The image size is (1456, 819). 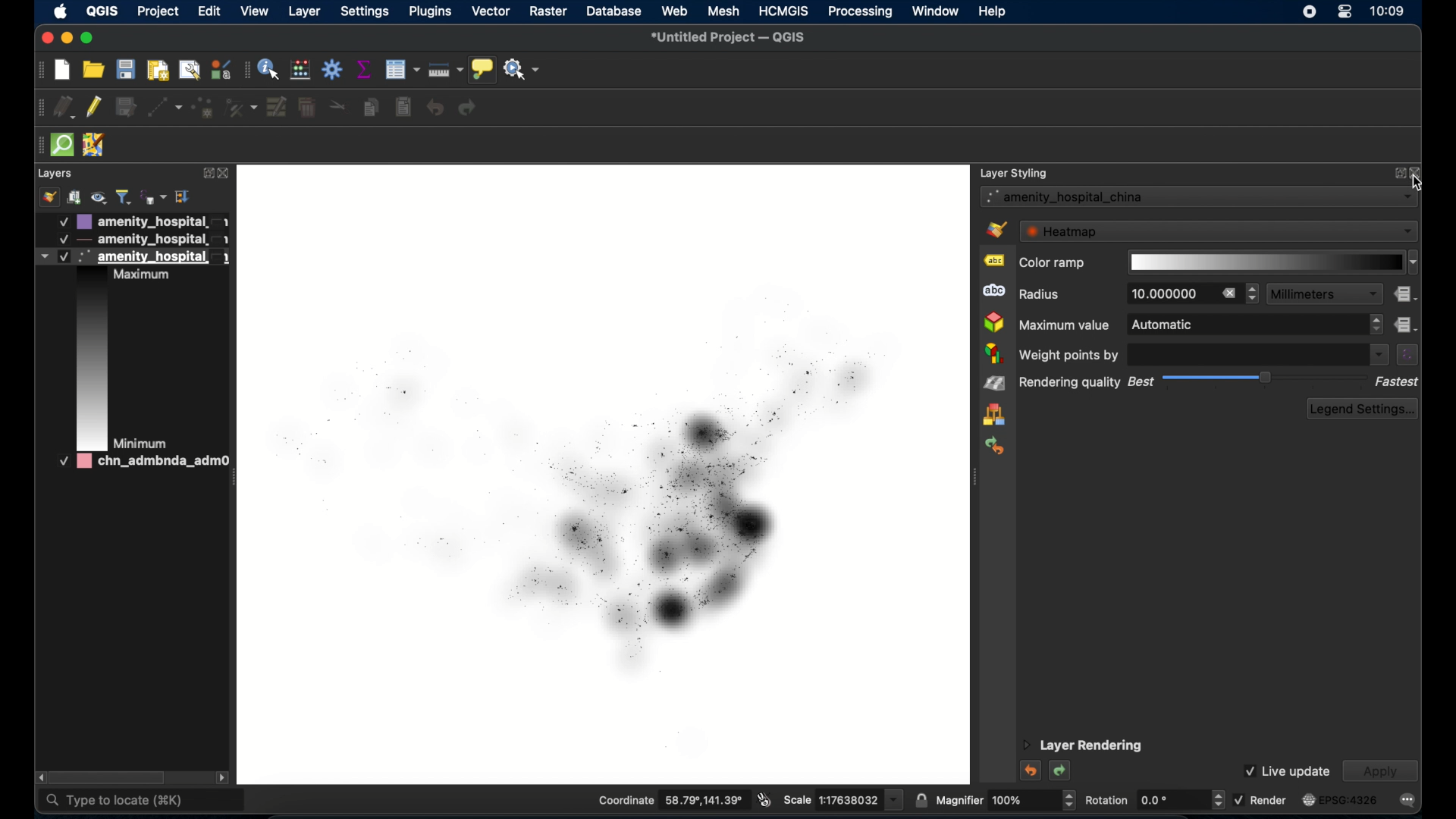 I want to click on digitize with segment, so click(x=165, y=109).